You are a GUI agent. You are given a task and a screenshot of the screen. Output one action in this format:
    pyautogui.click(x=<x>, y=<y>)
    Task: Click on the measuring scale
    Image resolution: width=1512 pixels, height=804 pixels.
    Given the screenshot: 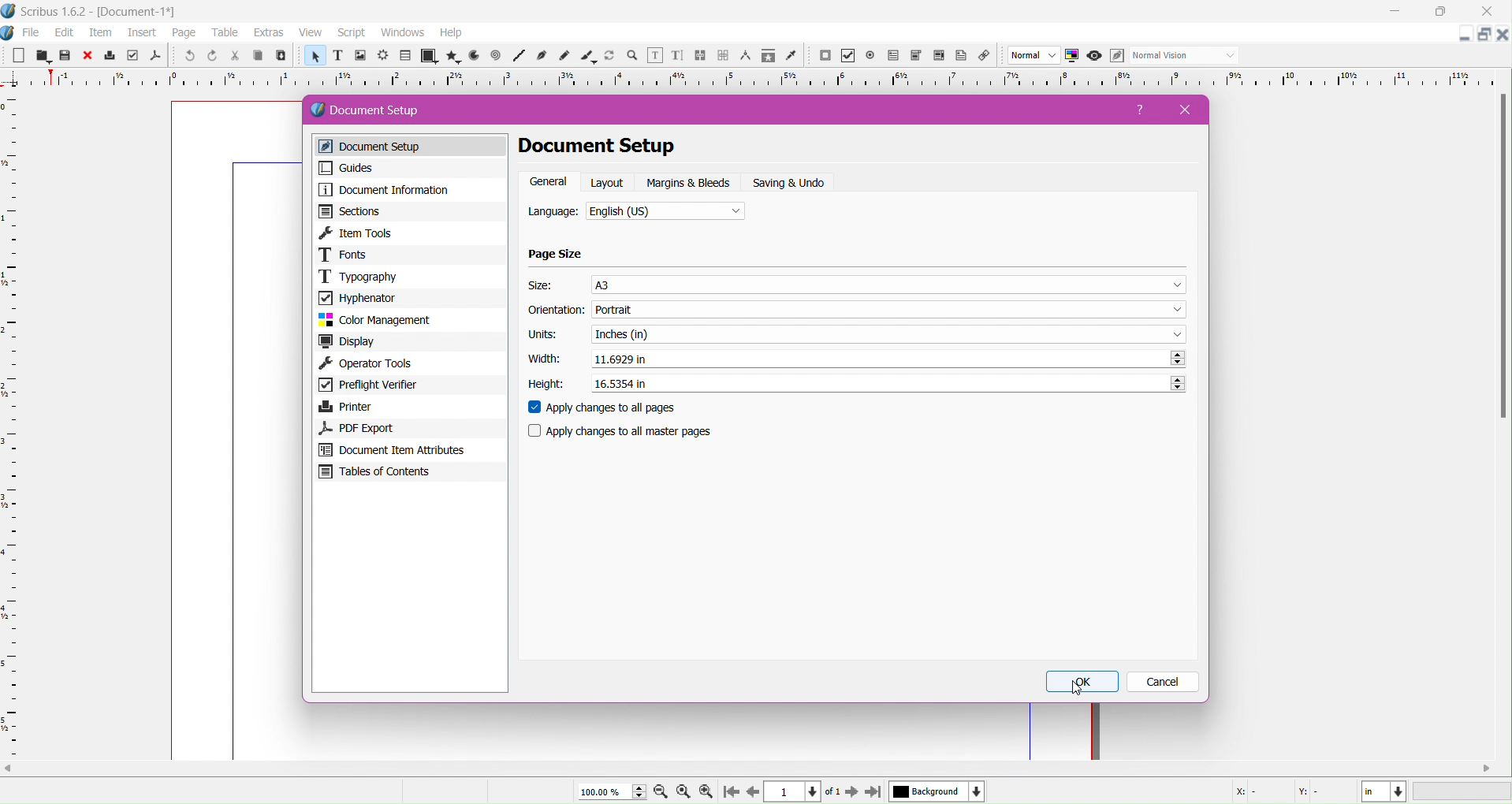 What is the action you would take?
    pyautogui.click(x=752, y=80)
    